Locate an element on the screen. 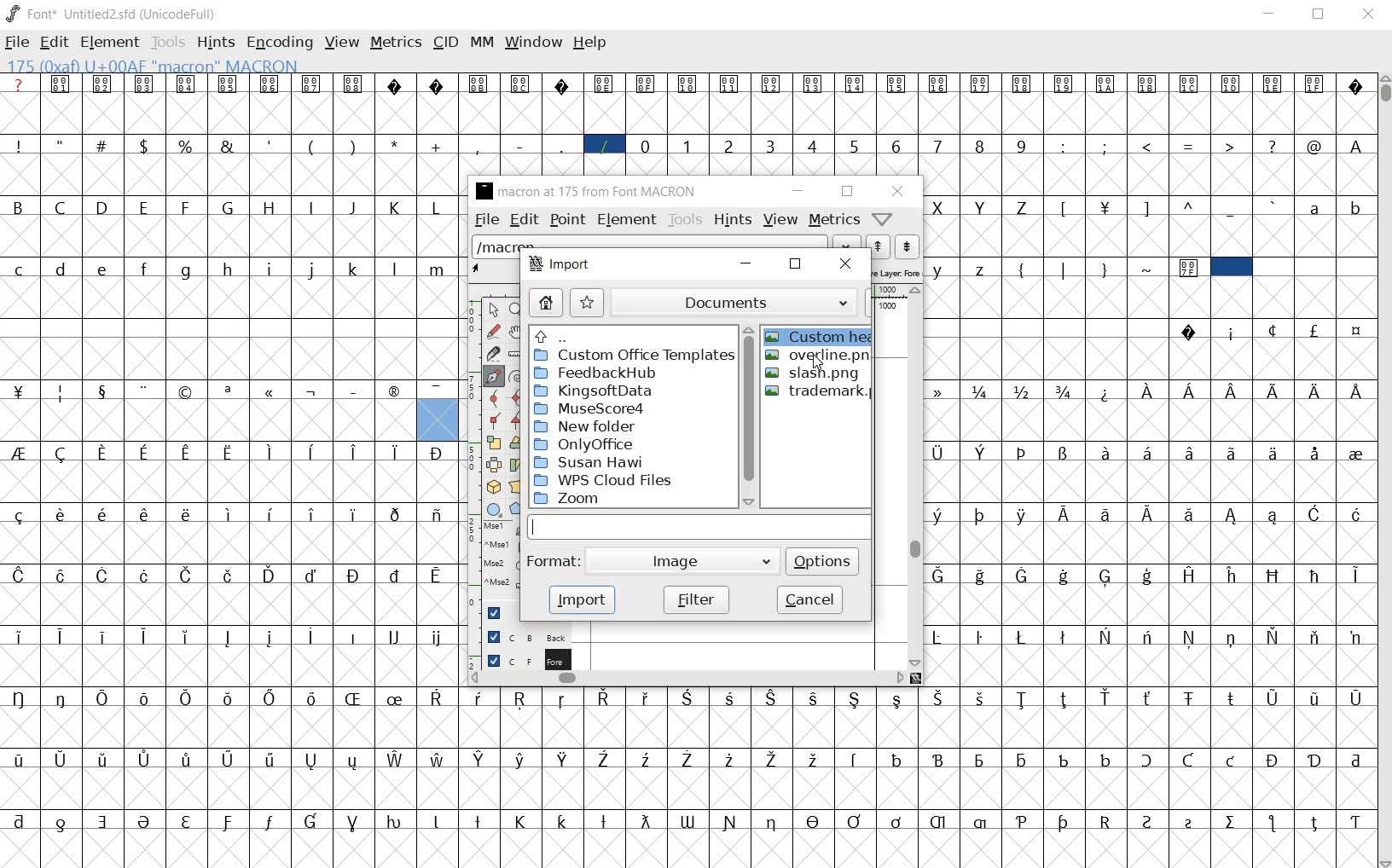 This screenshot has height=868, width=1392. Symbol is located at coordinates (1023, 513).